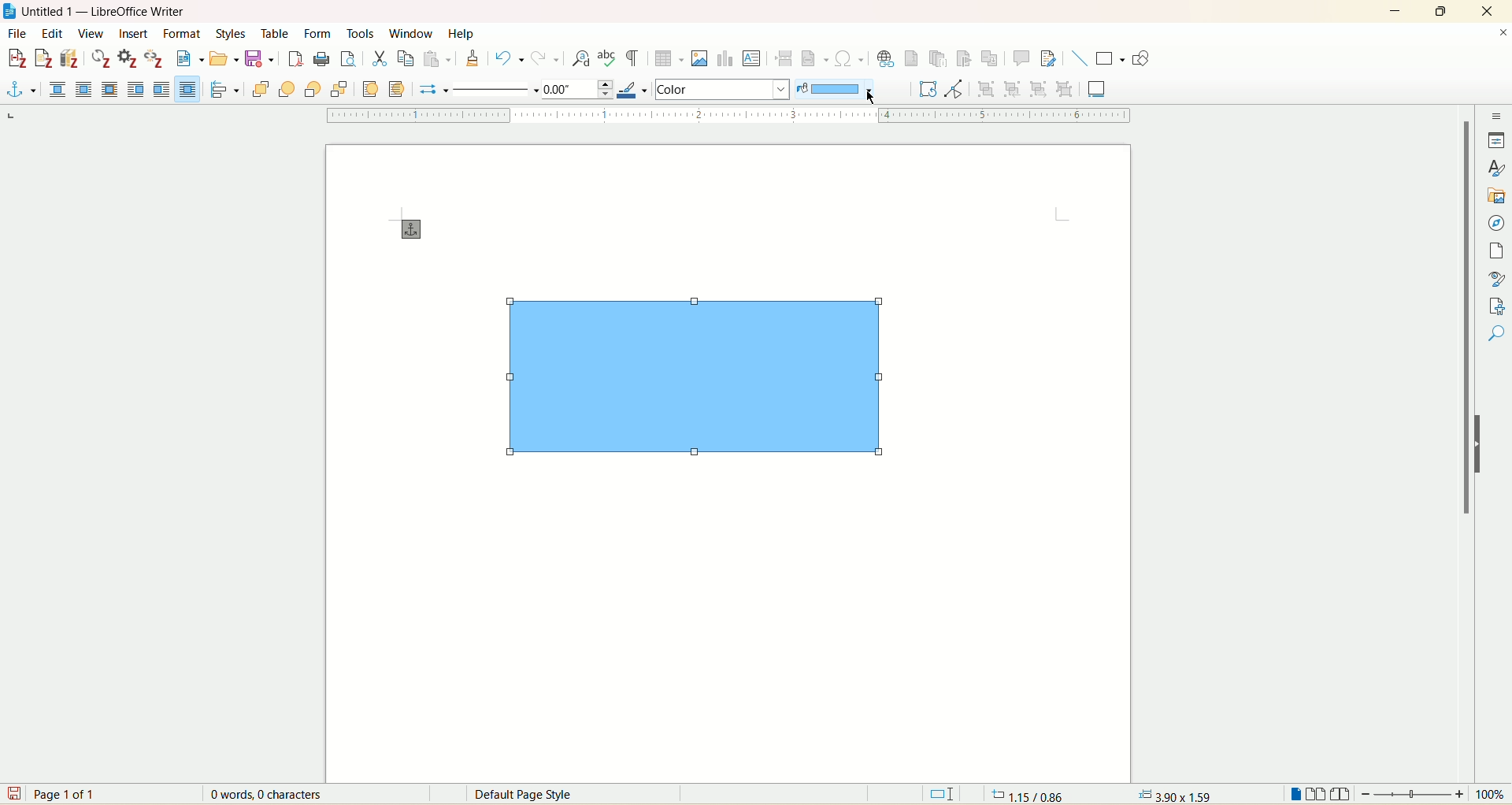 This screenshot has width=1512, height=805. What do you see at coordinates (1078, 58) in the screenshot?
I see `insert line` at bounding box center [1078, 58].